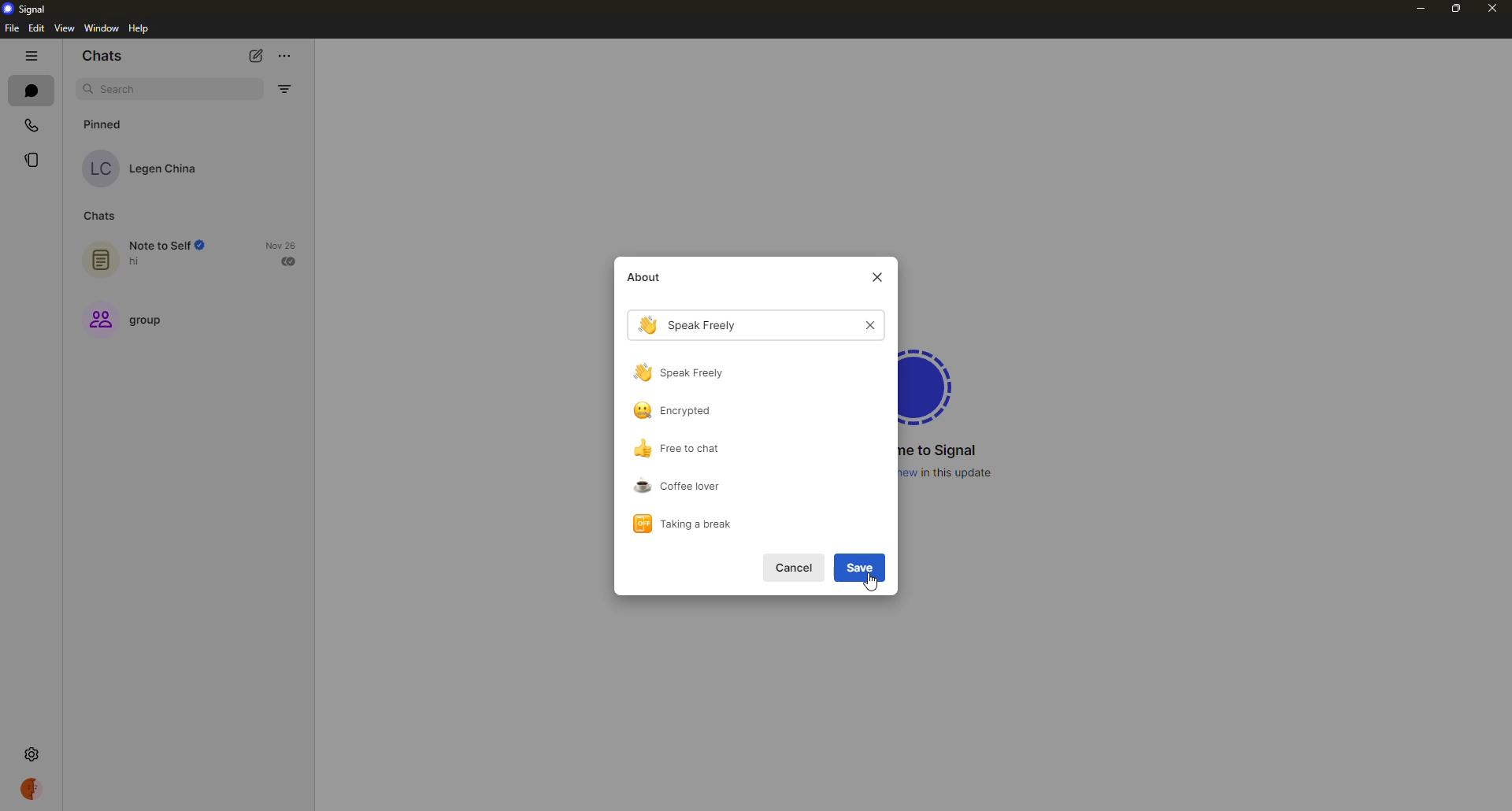 The image size is (1512, 811). Describe the element at coordinates (681, 448) in the screenshot. I see `free to chat` at that location.